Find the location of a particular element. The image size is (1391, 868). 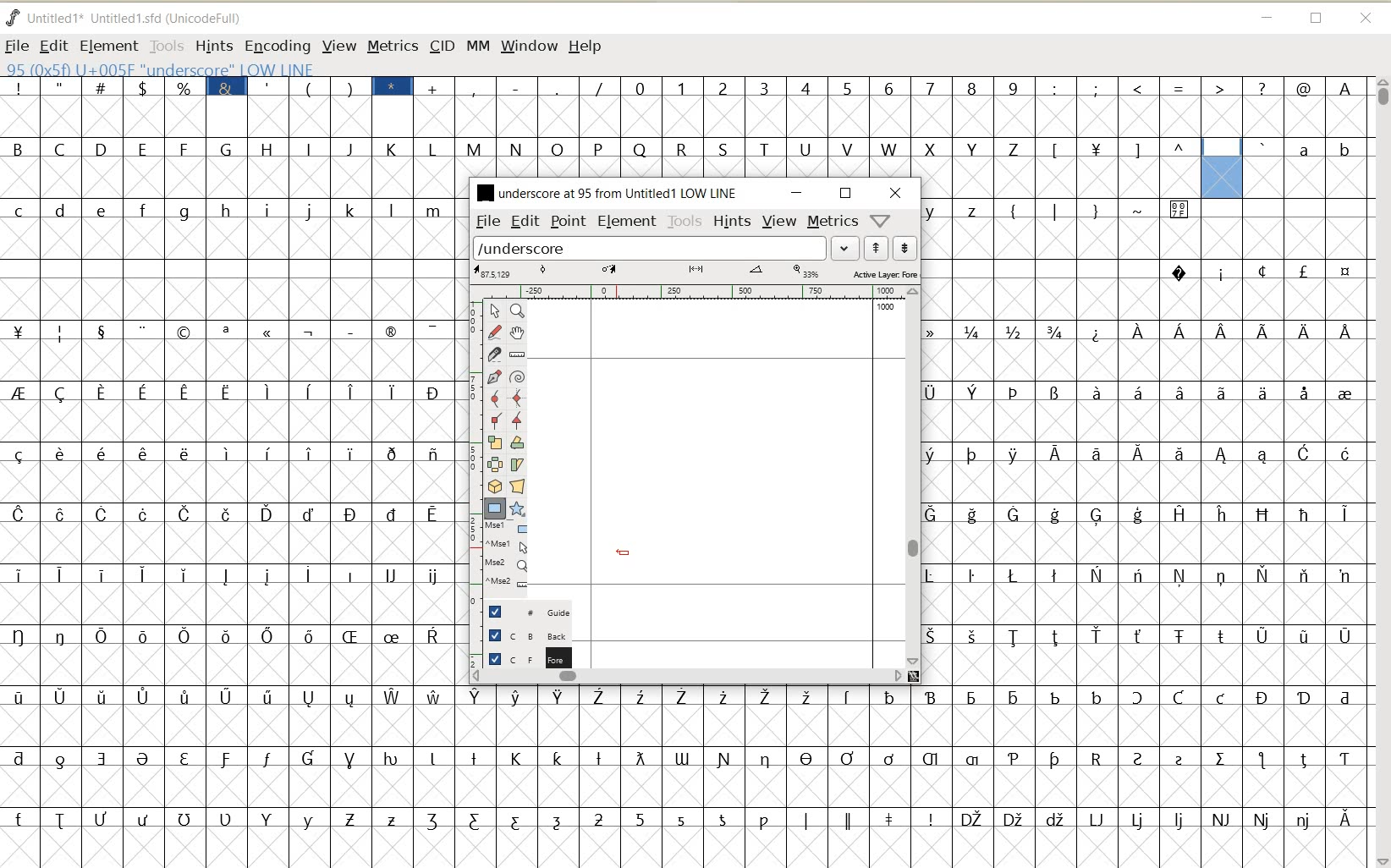

MINIMIZE is located at coordinates (798, 193).